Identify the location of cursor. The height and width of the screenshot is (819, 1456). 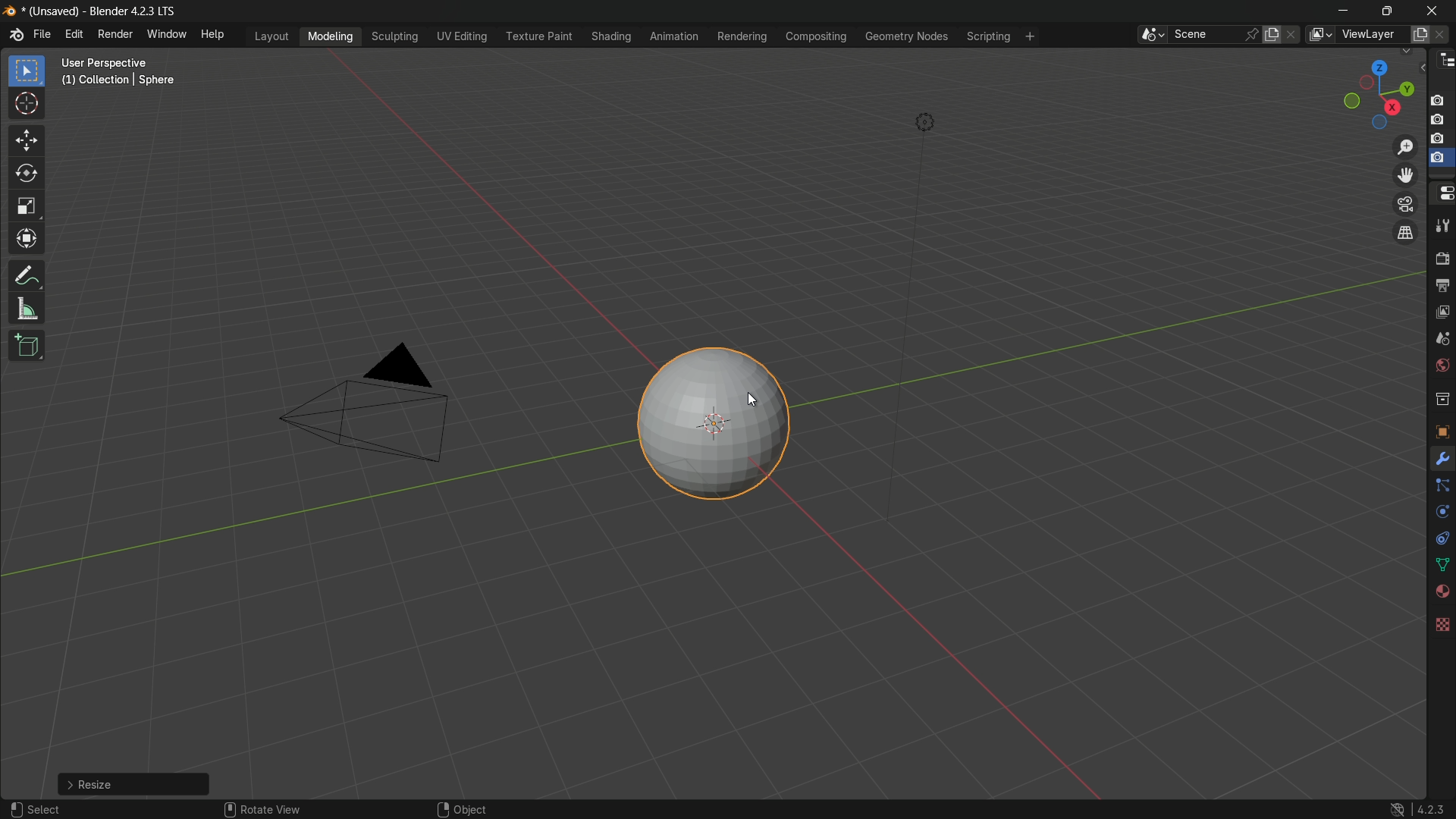
(27, 104).